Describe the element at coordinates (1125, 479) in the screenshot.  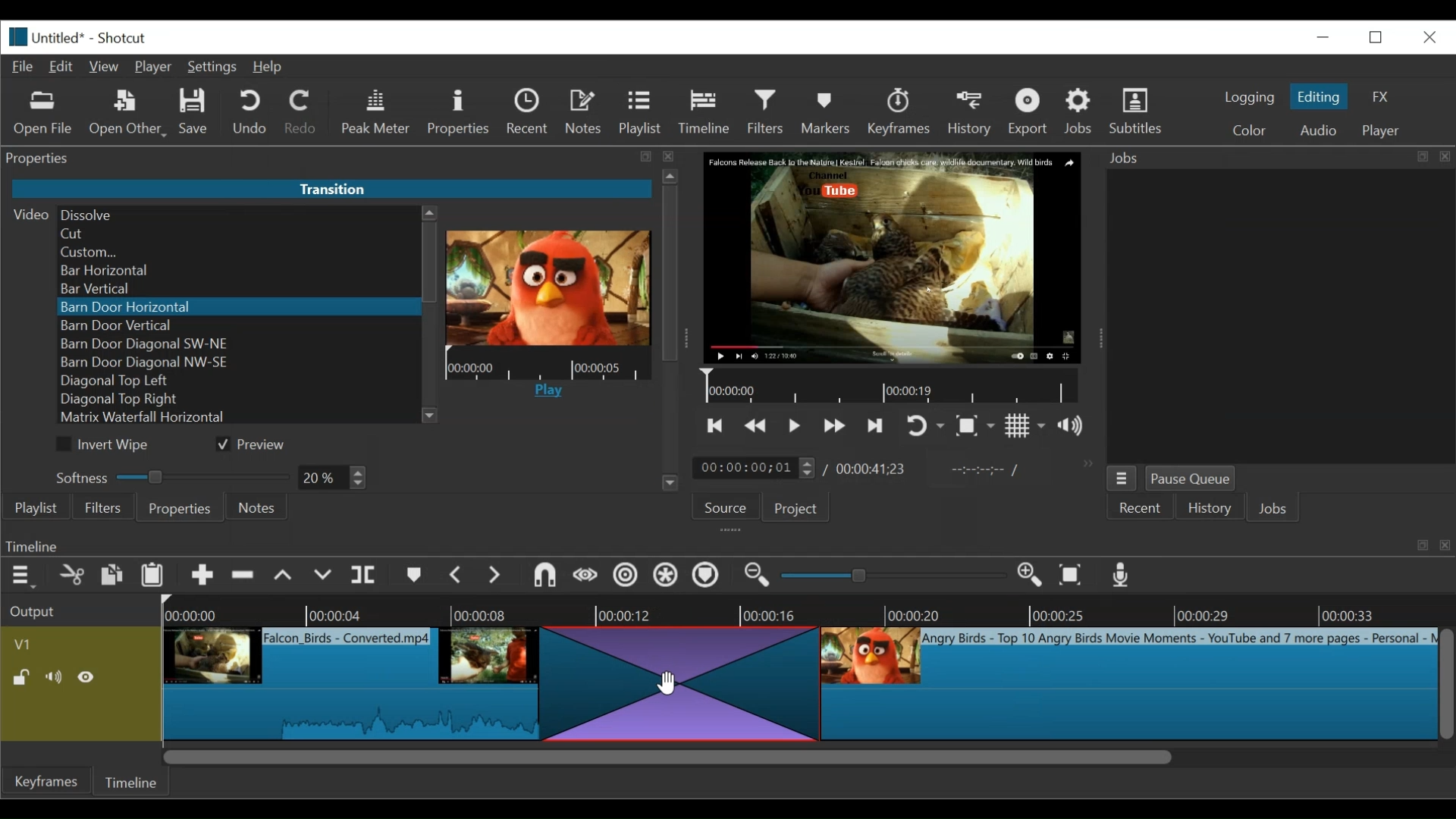
I see `Jobs Menu` at that location.